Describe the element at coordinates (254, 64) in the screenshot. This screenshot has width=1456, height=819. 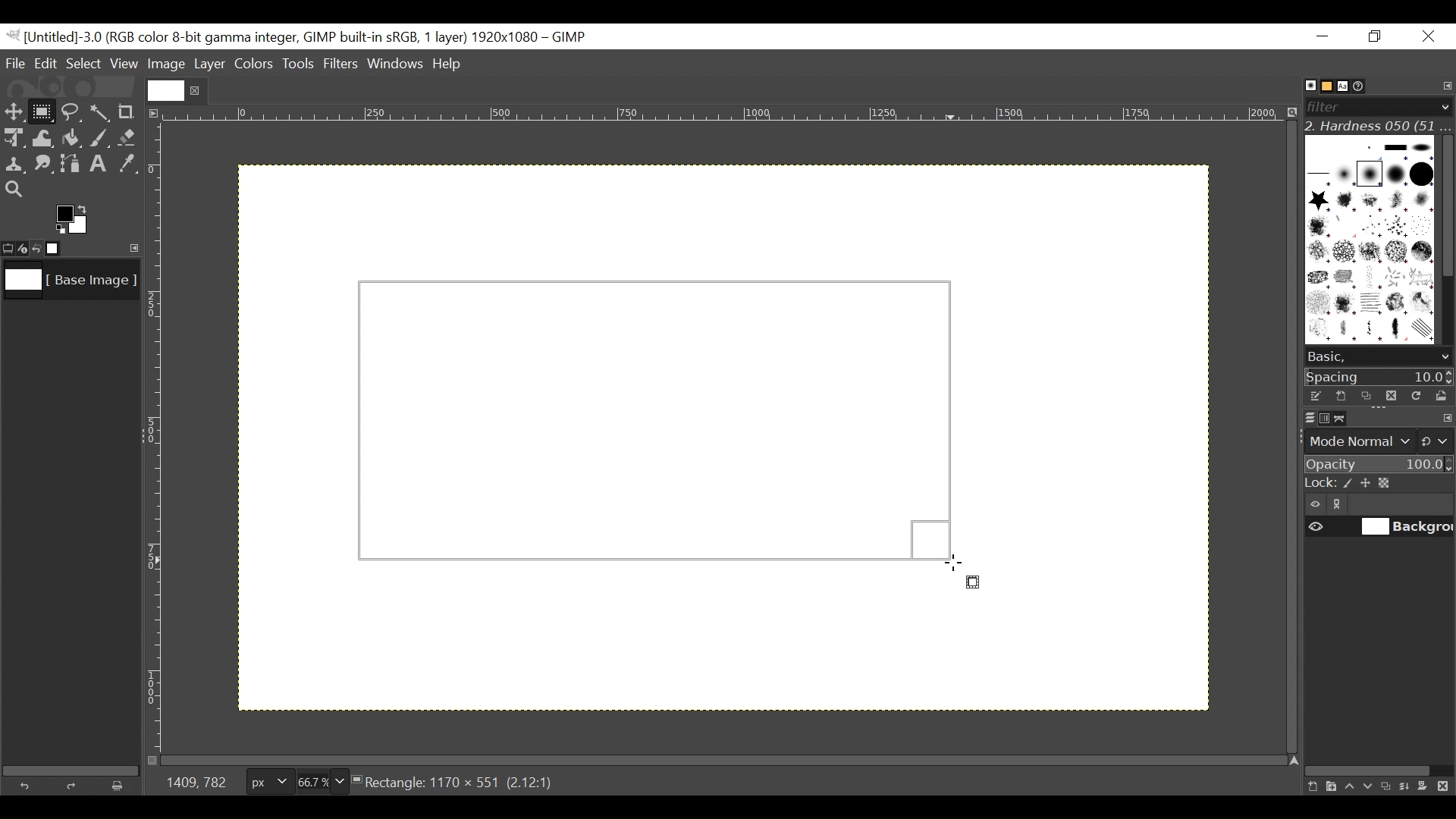
I see `Colors` at that location.